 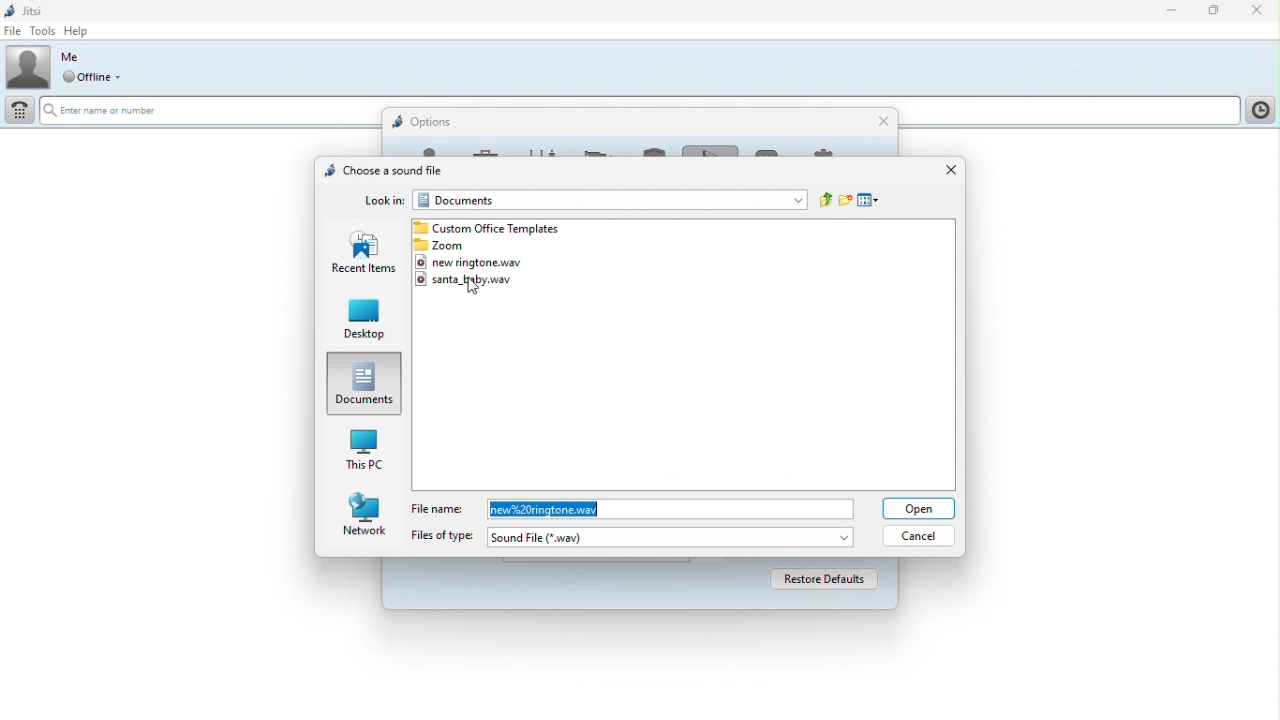 I want to click on file path, so click(x=609, y=200).